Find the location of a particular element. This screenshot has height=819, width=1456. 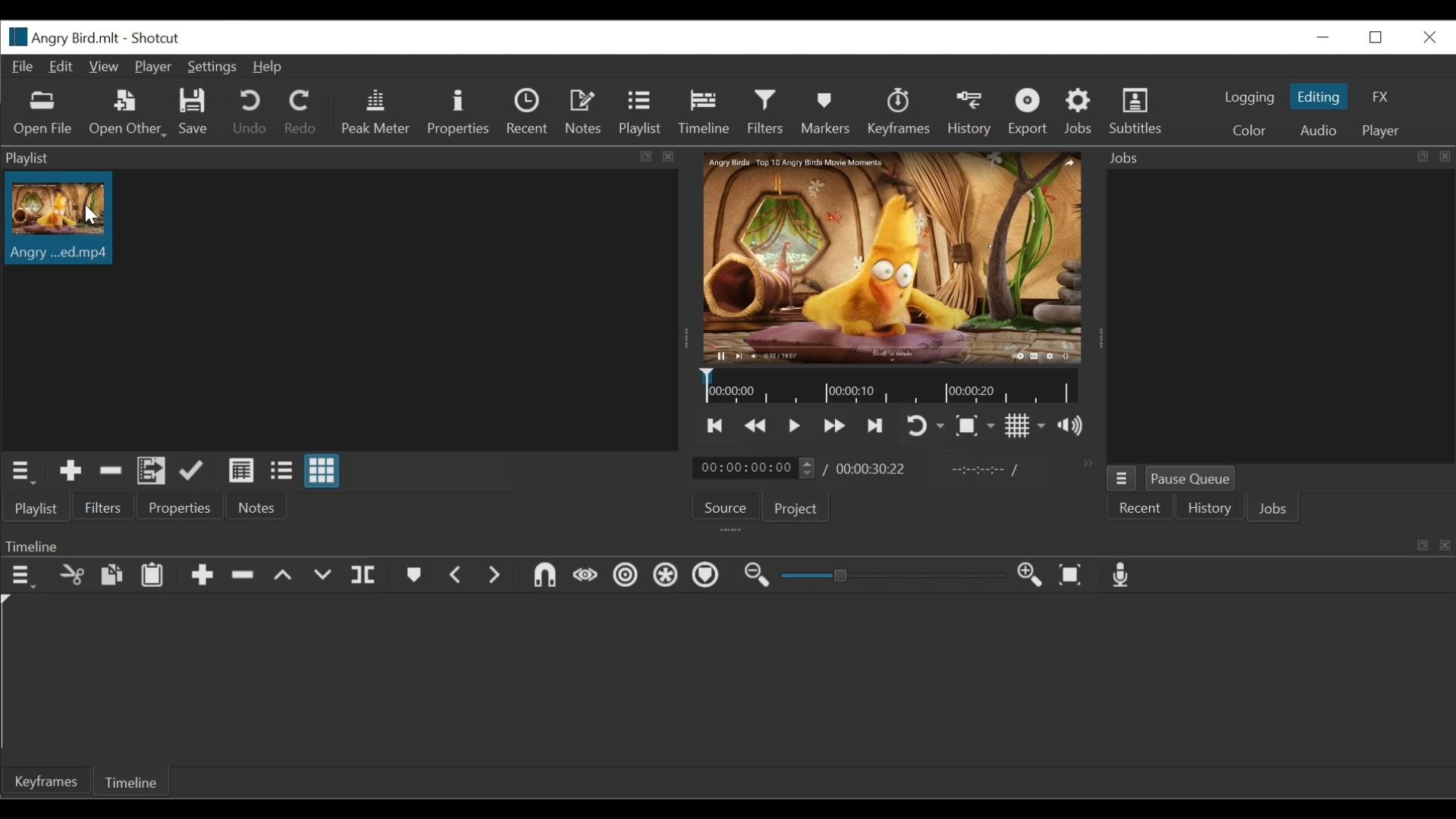

lift is located at coordinates (283, 576).